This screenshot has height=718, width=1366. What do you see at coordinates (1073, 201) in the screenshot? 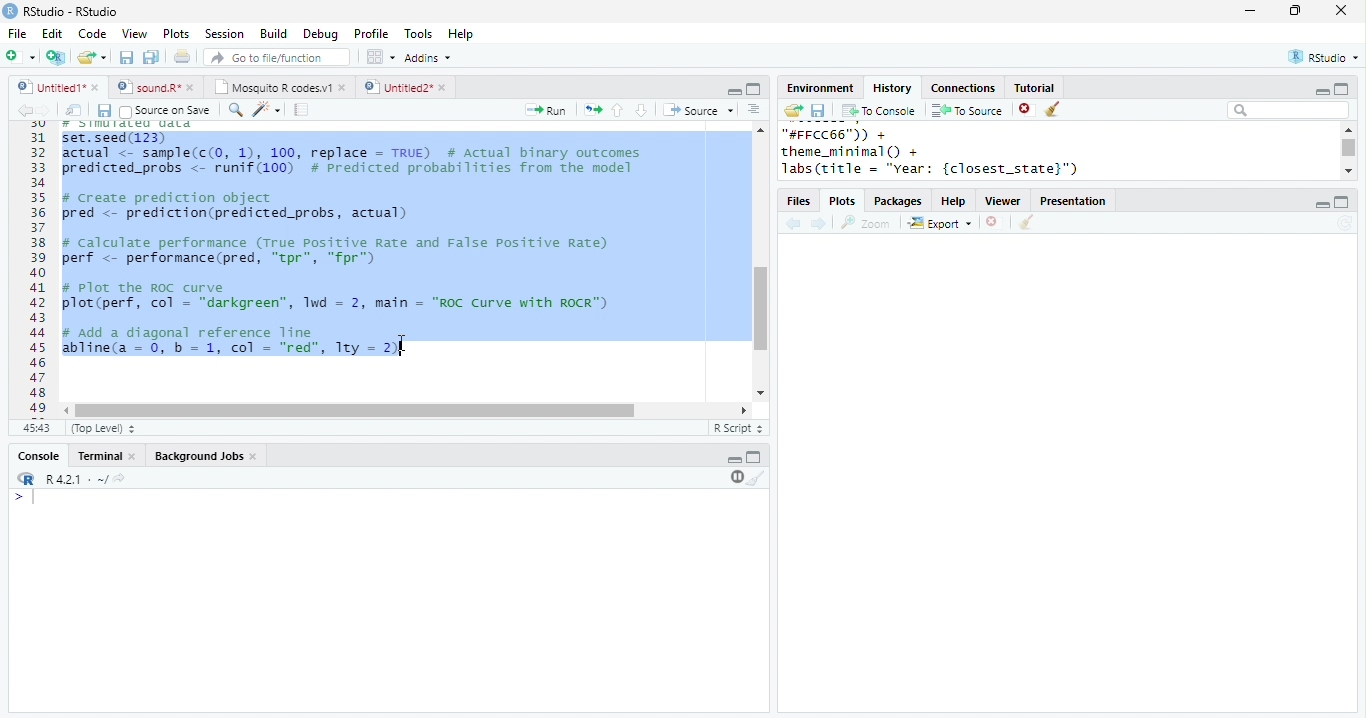
I see `Presentation` at bounding box center [1073, 201].